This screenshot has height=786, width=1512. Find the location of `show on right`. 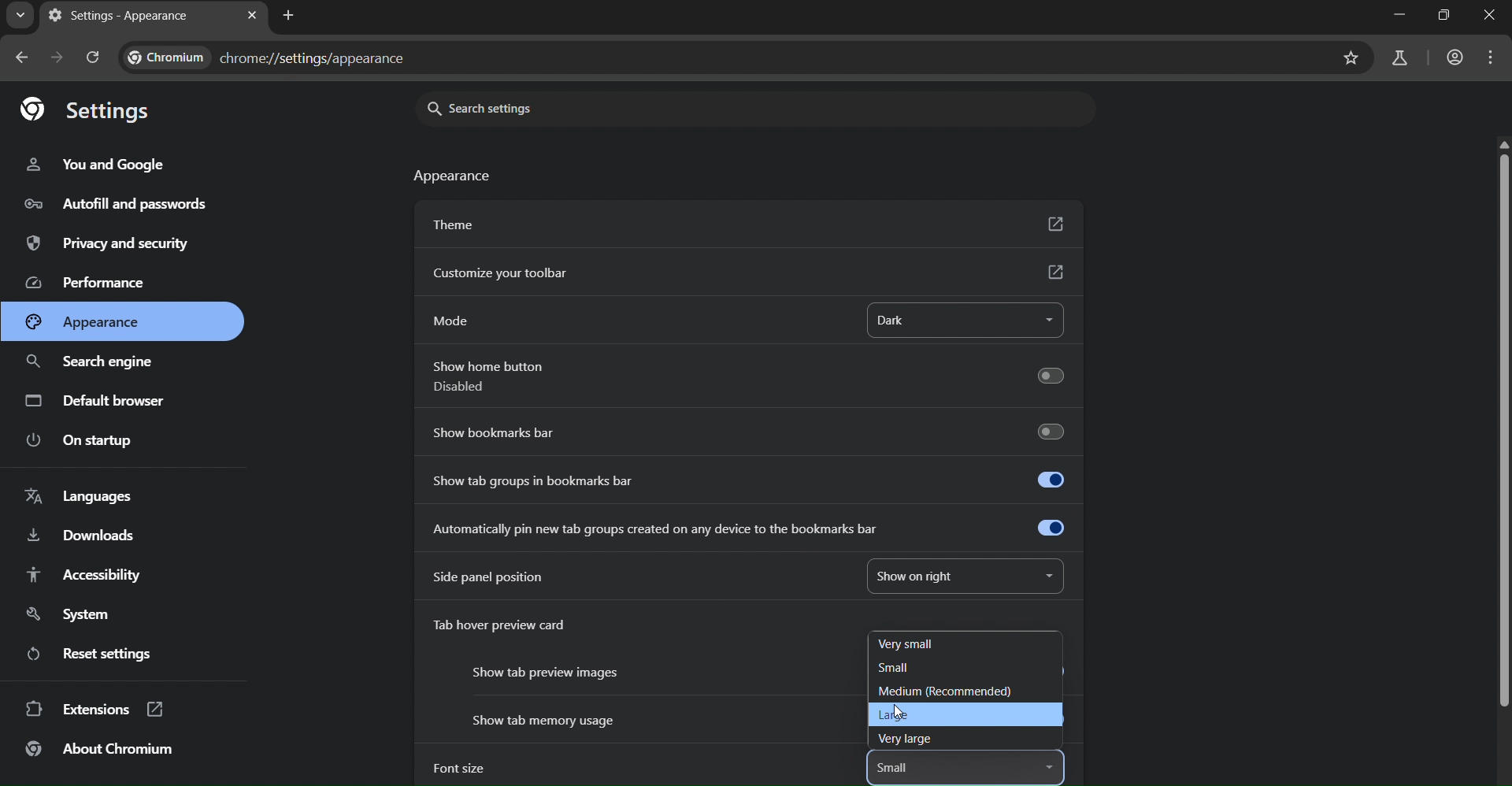

show on right is located at coordinates (927, 573).